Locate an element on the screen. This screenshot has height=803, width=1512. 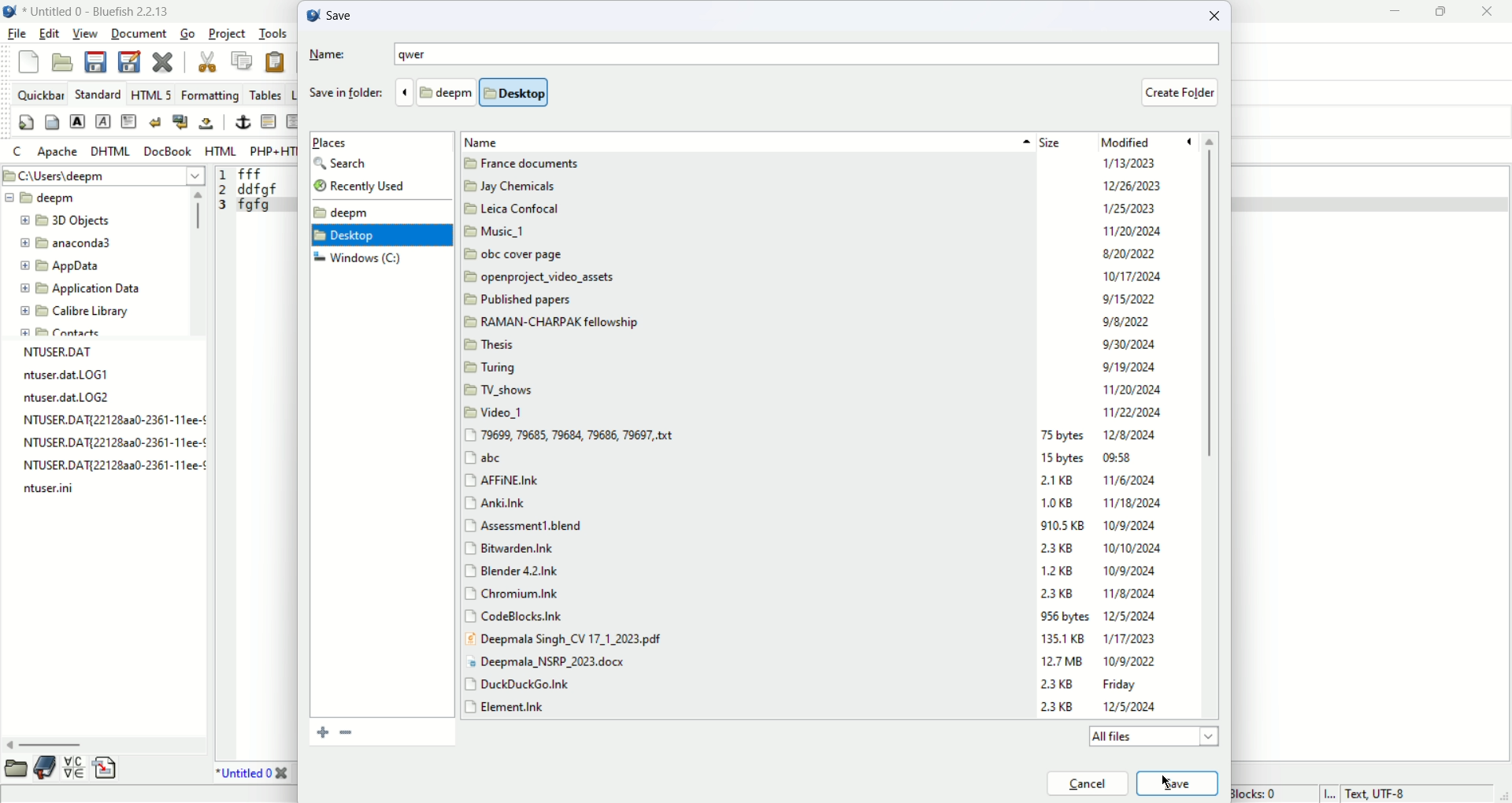
file name is located at coordinates (70, 400).